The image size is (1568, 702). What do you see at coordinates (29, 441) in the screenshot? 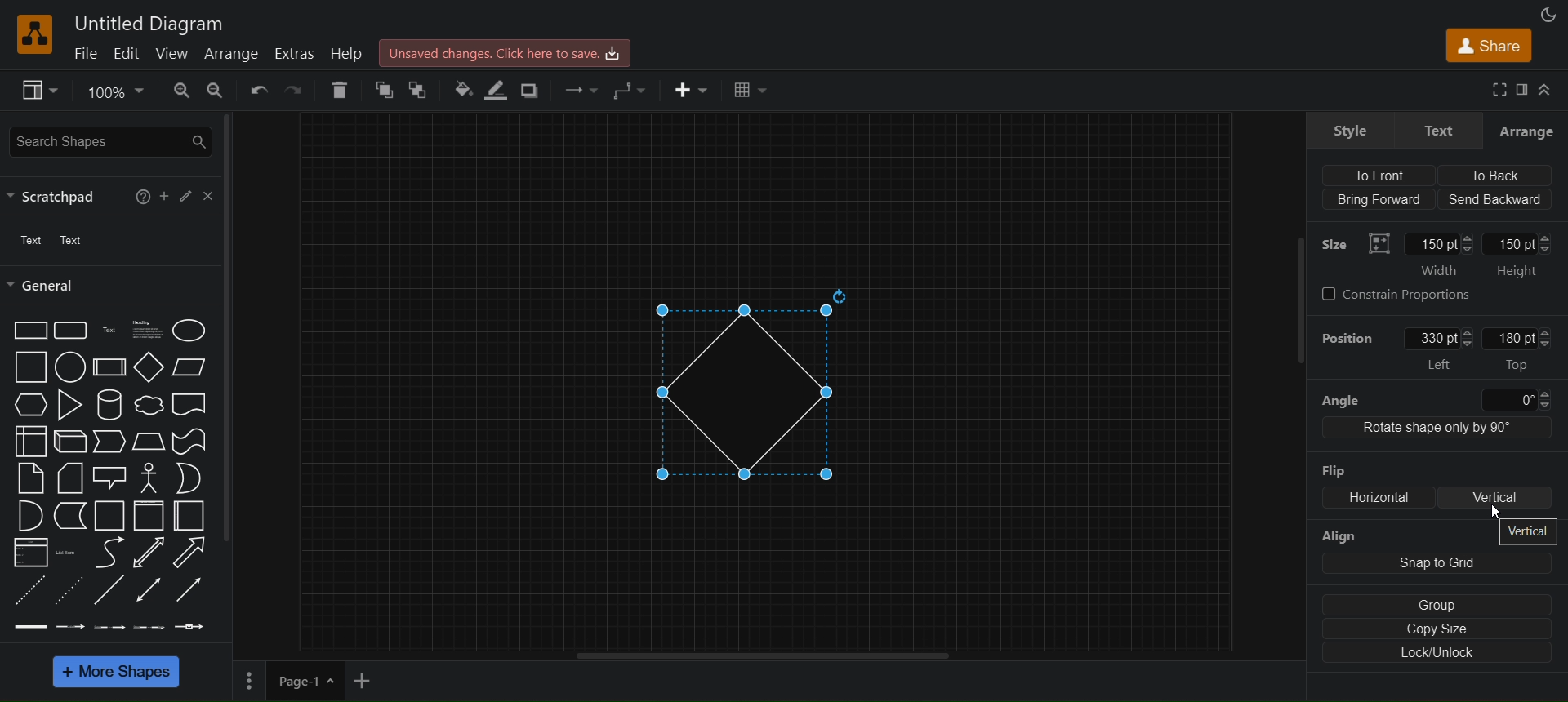
I see `internal storage` at bounding box center [29, 441].